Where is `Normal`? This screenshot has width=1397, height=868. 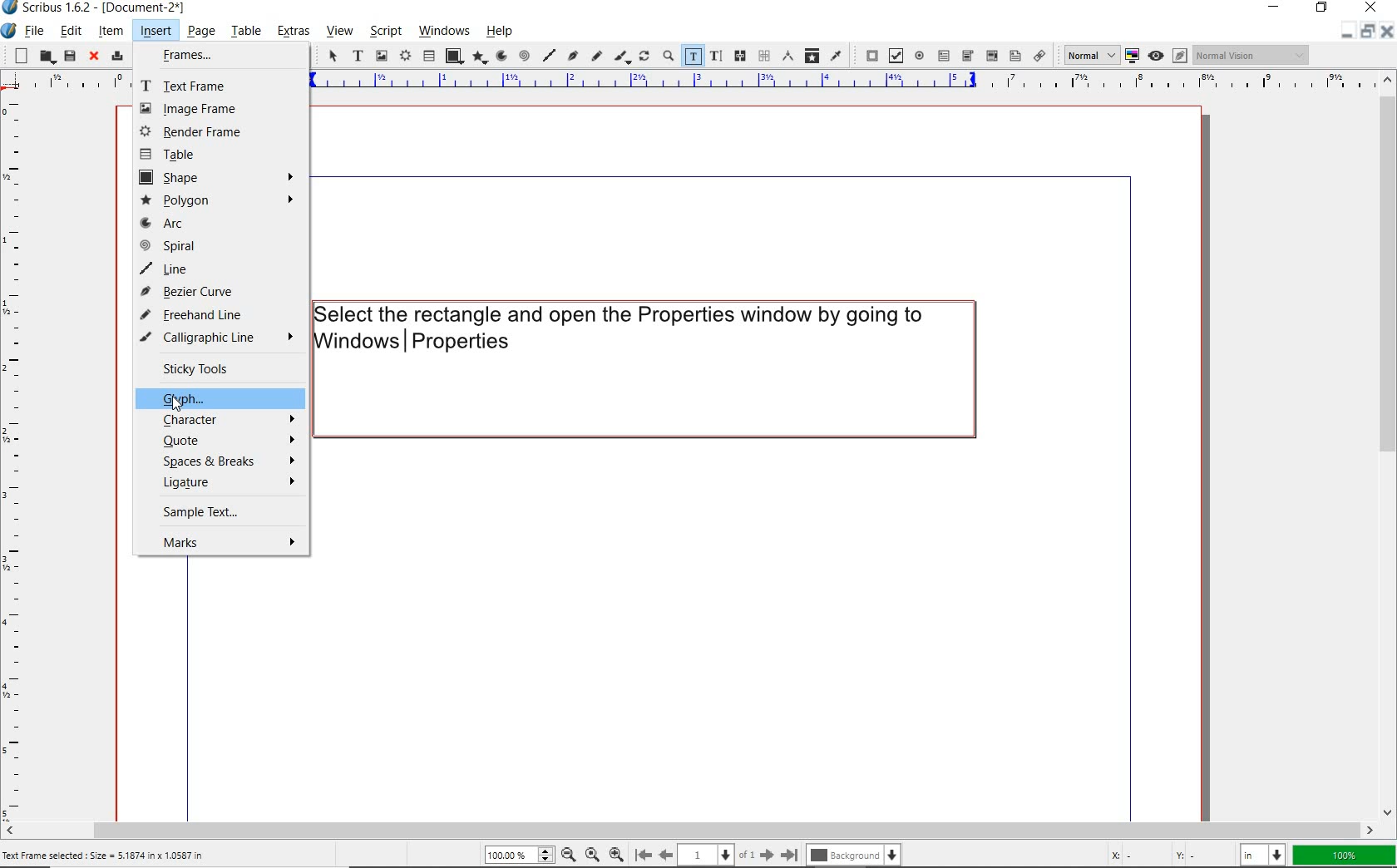 Normal is located at coordinates (1086, 54).